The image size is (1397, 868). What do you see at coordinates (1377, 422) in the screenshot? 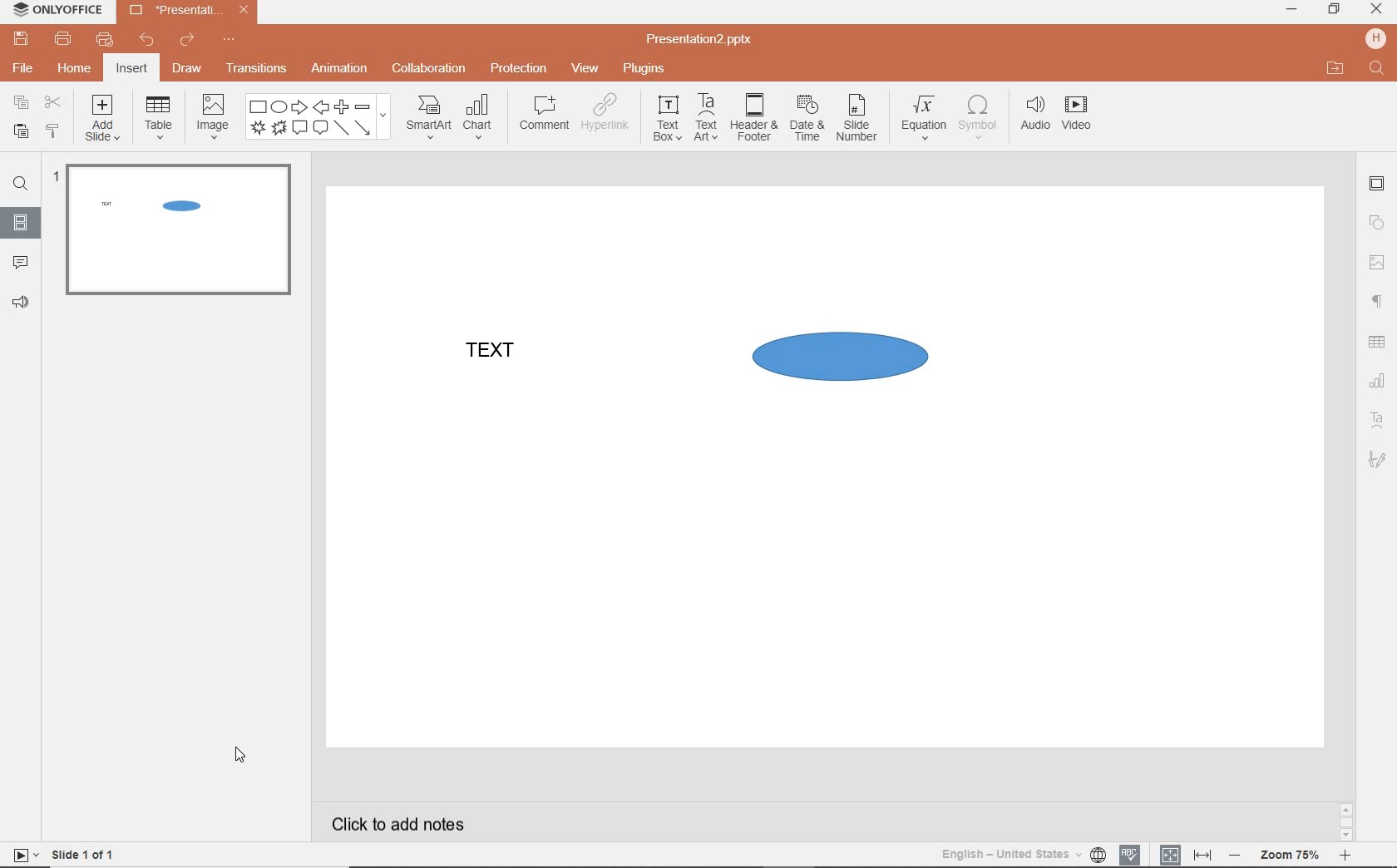
I see `TEXT ART` at bounding box center [1377, 422].